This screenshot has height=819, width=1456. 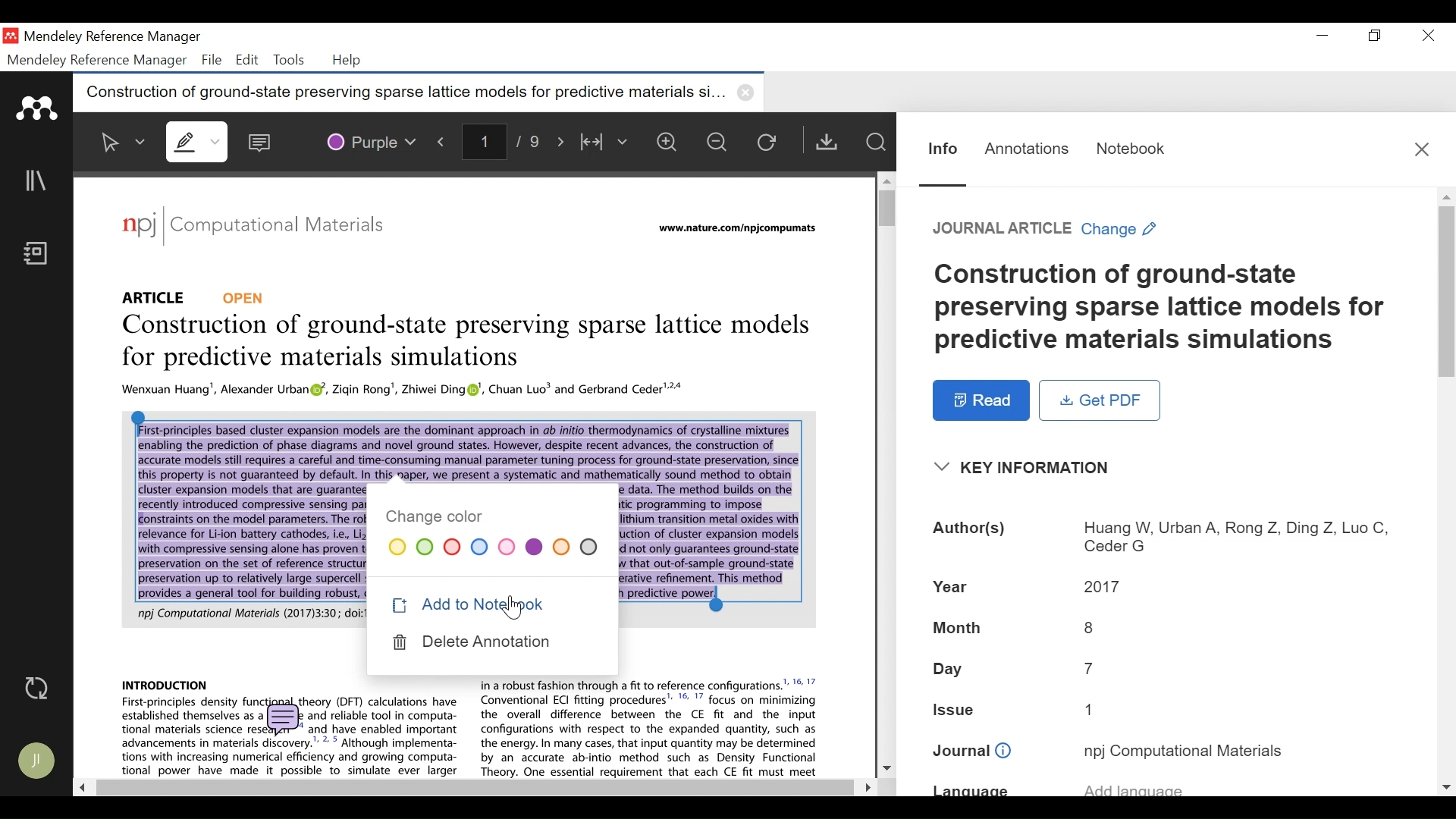 What do you see at coordinates (39, 108) in the screenshot?
I see `Mendeley logo` at bounding box center [39, 108].